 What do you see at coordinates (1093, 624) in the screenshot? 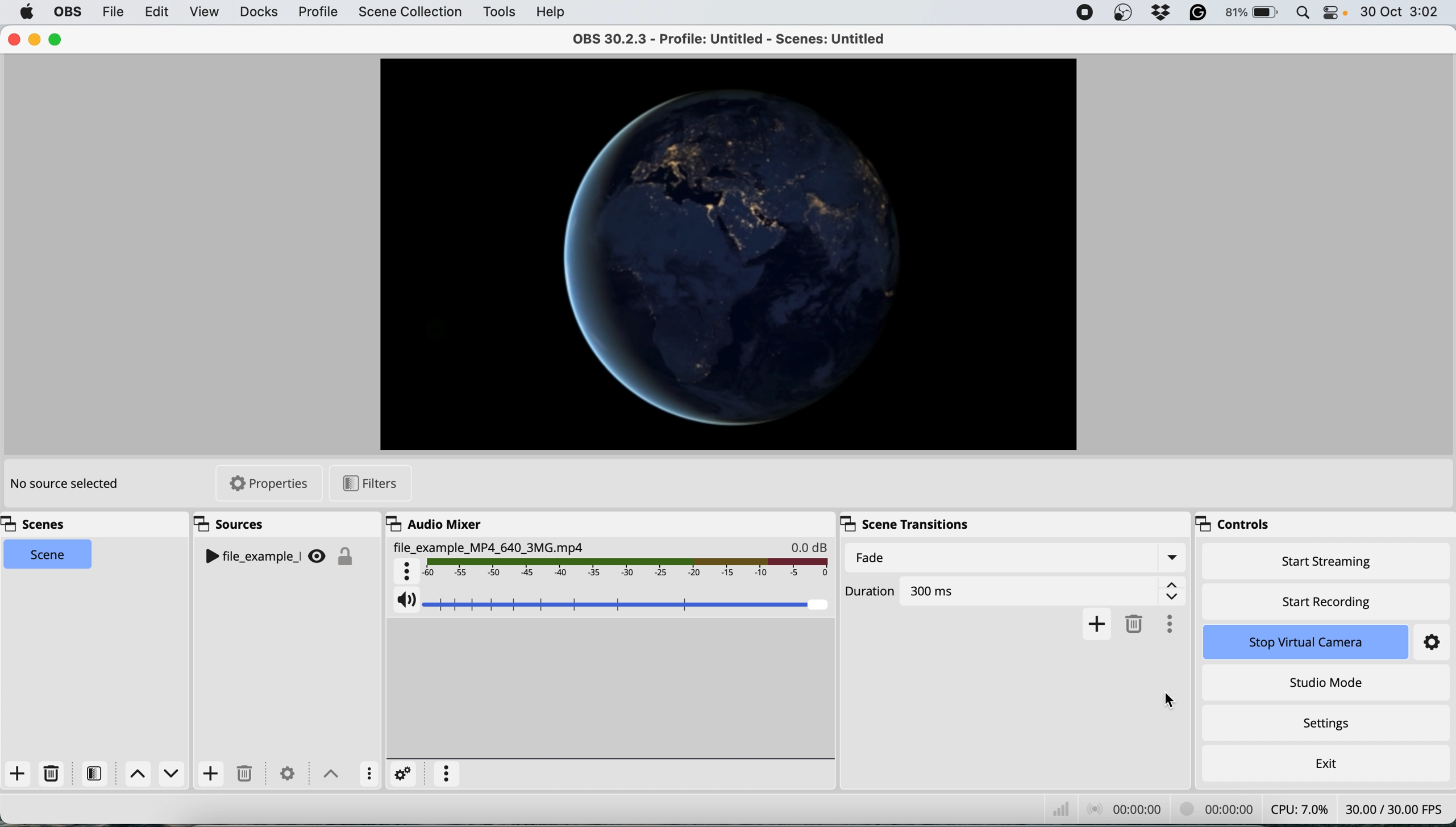
I see `add fade` at bounding box center [1093, 624].